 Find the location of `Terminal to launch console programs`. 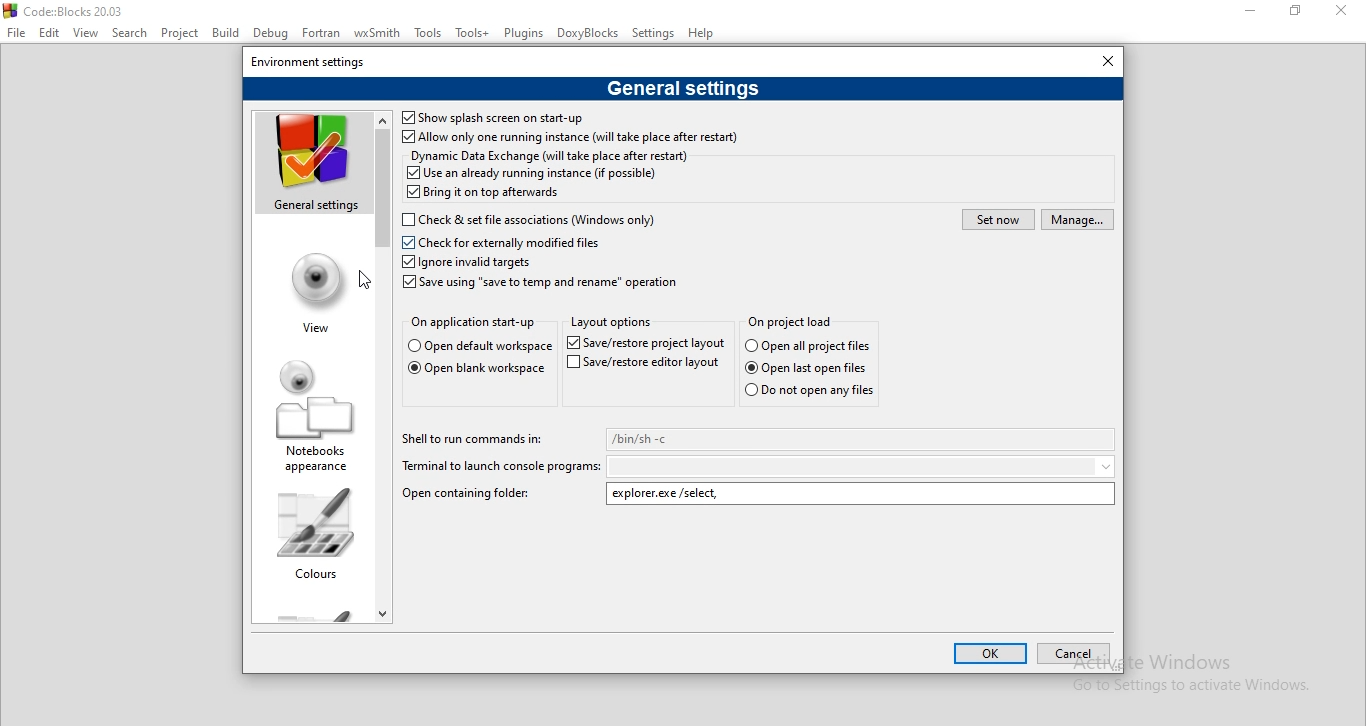

Terminal to launch console programs is located at coordinates (500, 470).